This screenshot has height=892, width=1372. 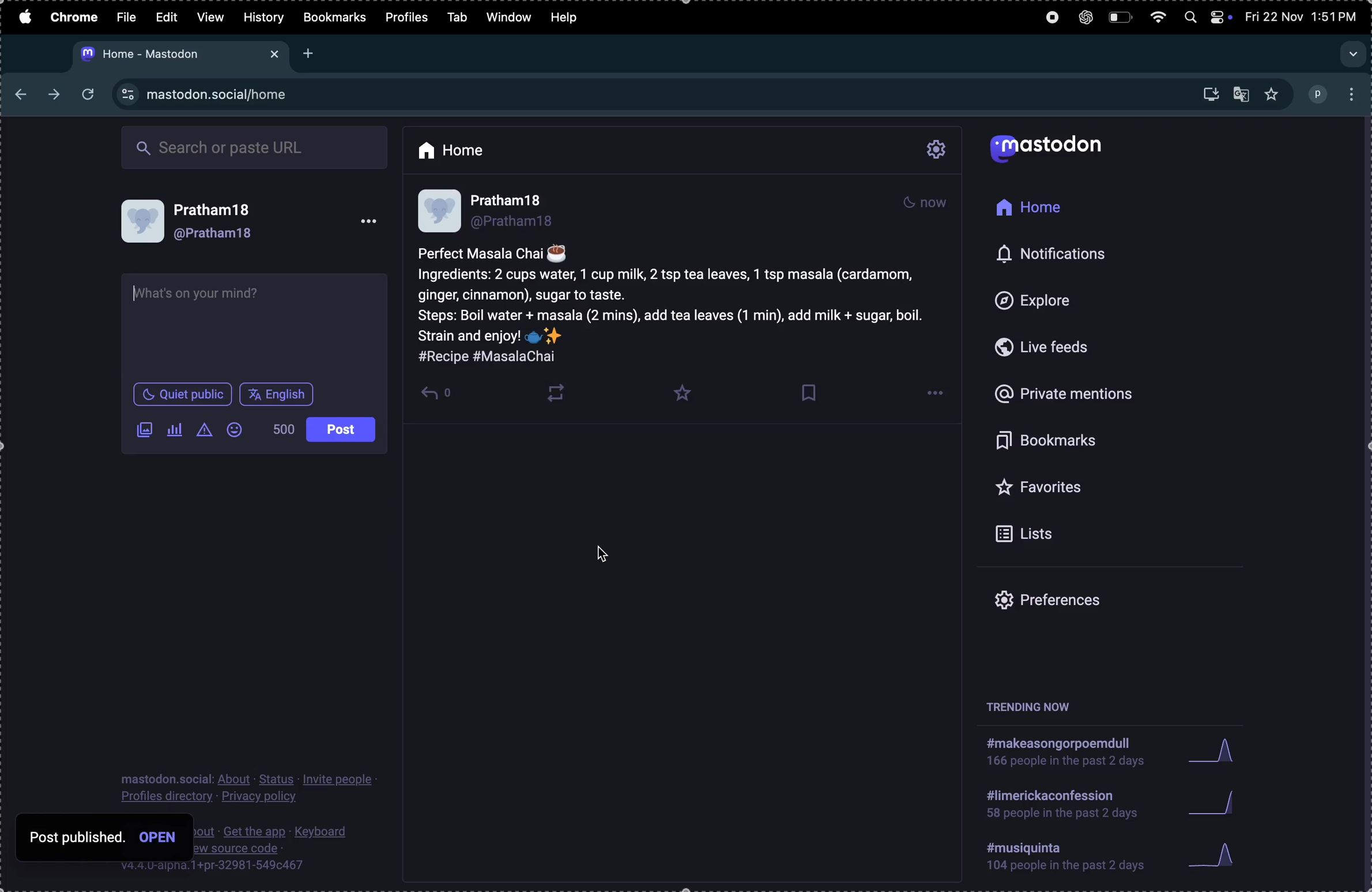 What do you see at coordinates (171, 430) in the screenshot?
I see `poll` at bounding box center [171, 430].